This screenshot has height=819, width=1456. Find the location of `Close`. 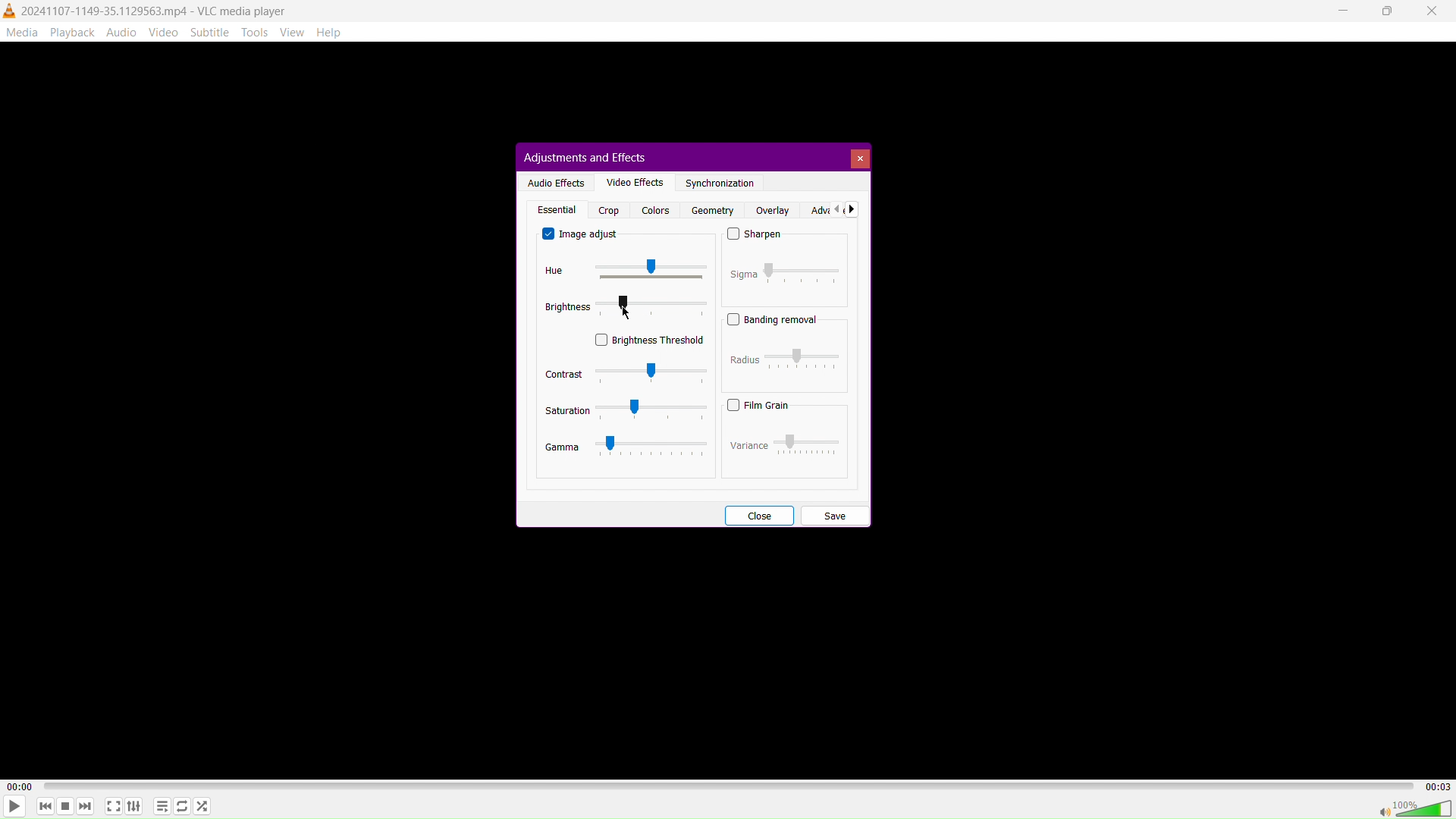

Close is located at coordinates (758, 514).